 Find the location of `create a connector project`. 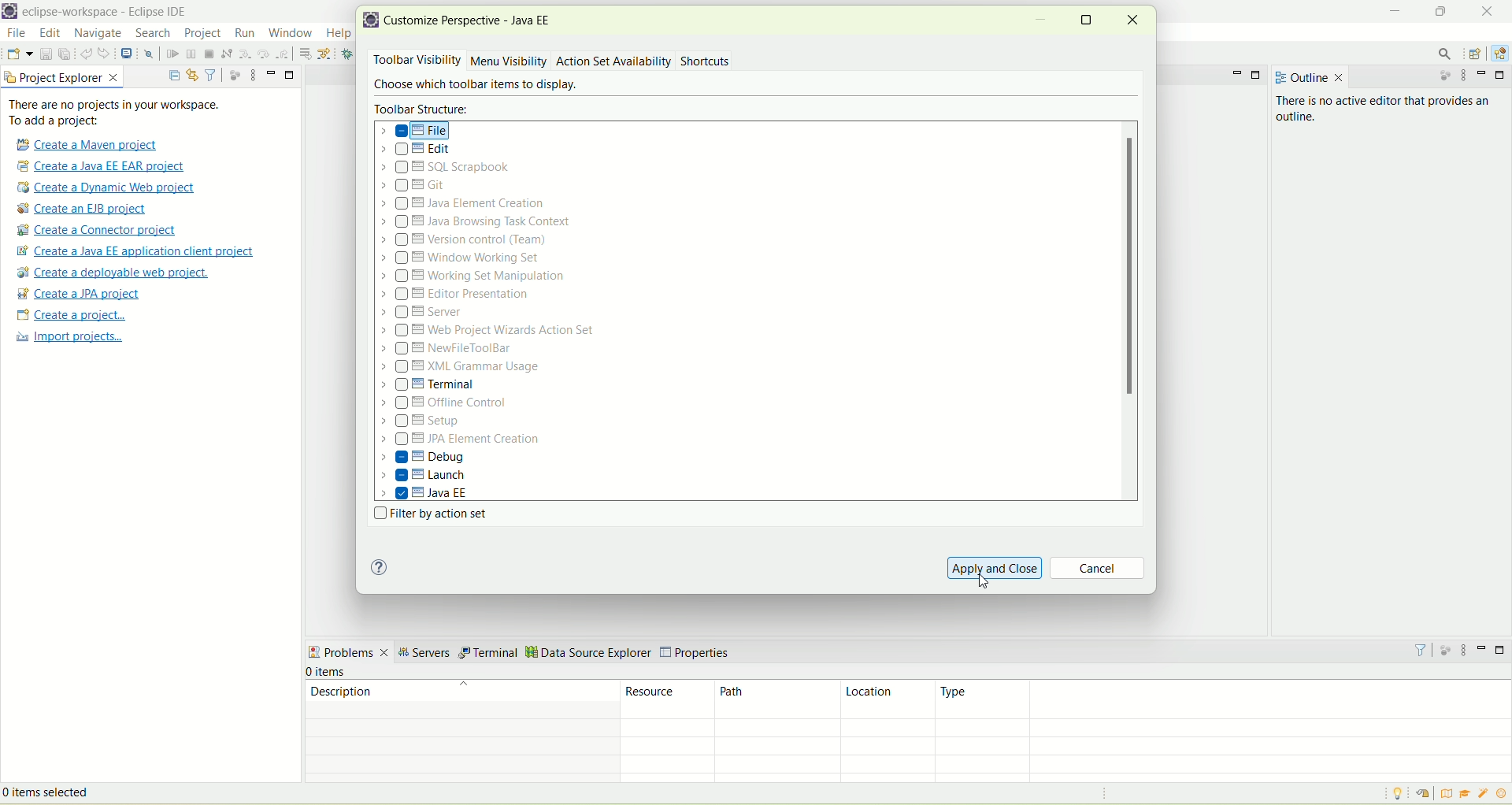

create a connector project is located at coordinates (97, 232).